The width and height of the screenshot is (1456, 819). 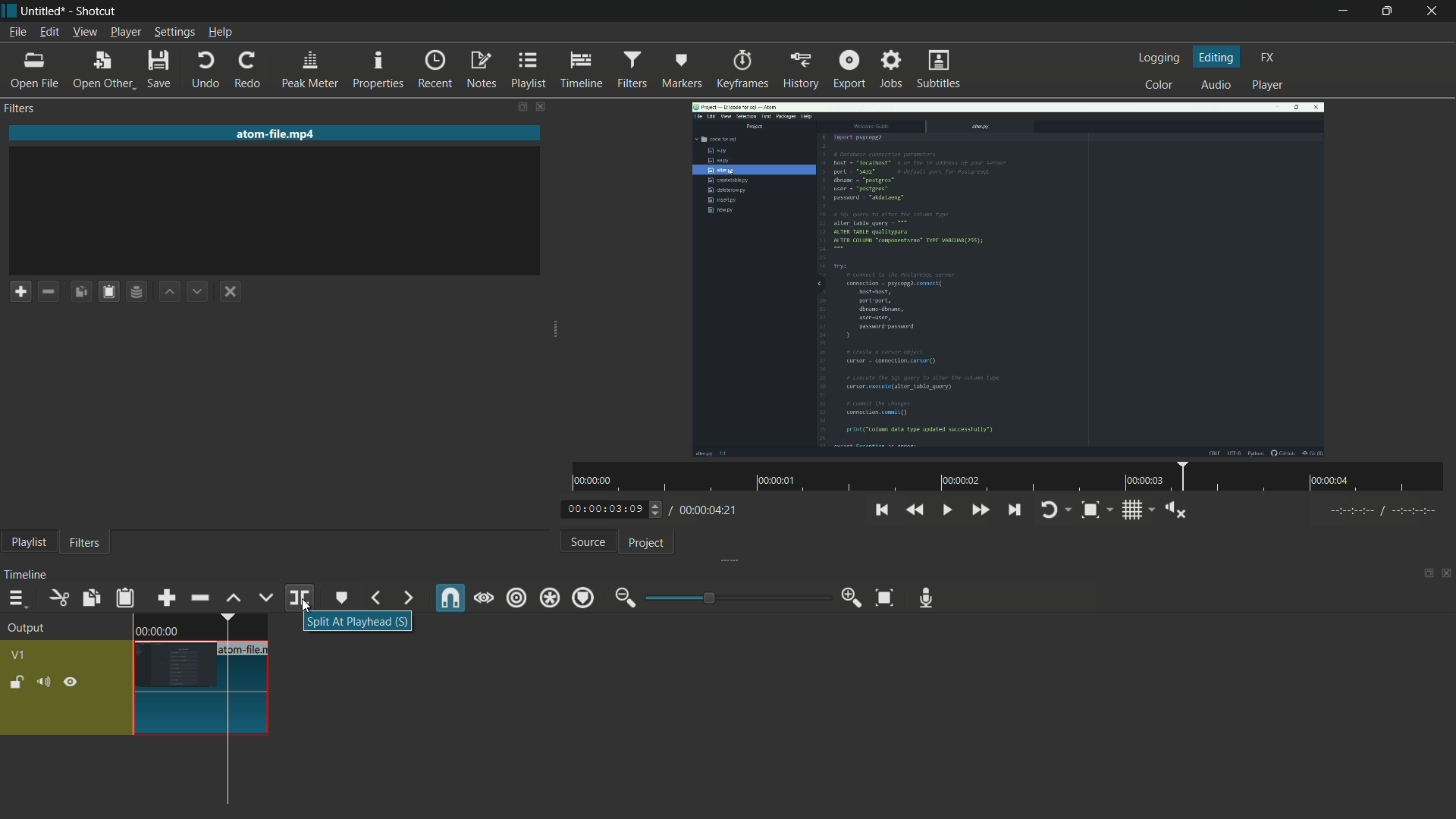 I want to click on cut, so click(x=58, y=598).